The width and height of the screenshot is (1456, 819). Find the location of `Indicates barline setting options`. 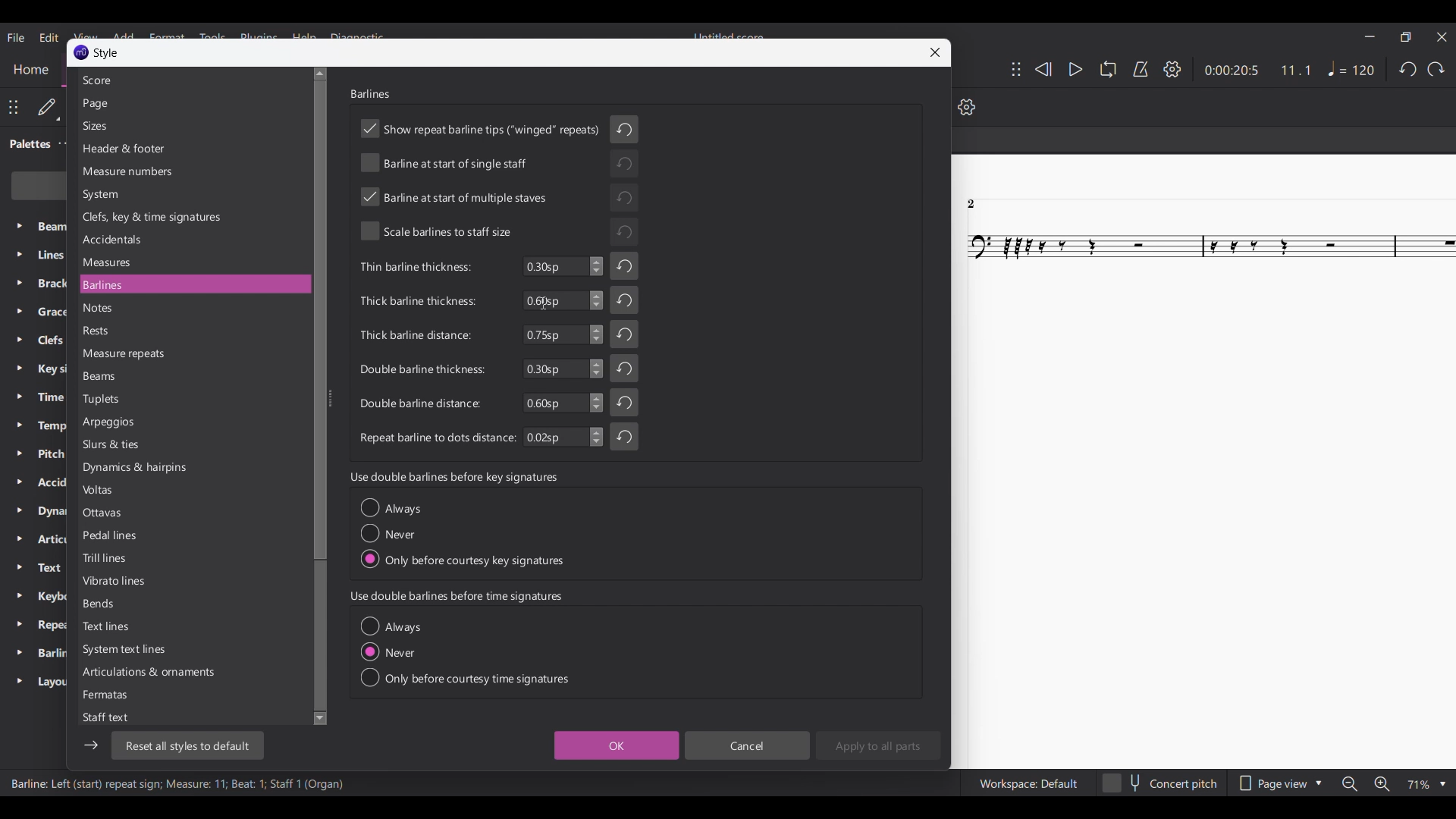

Indicates barline setting options is located at coordinates (435, 353).